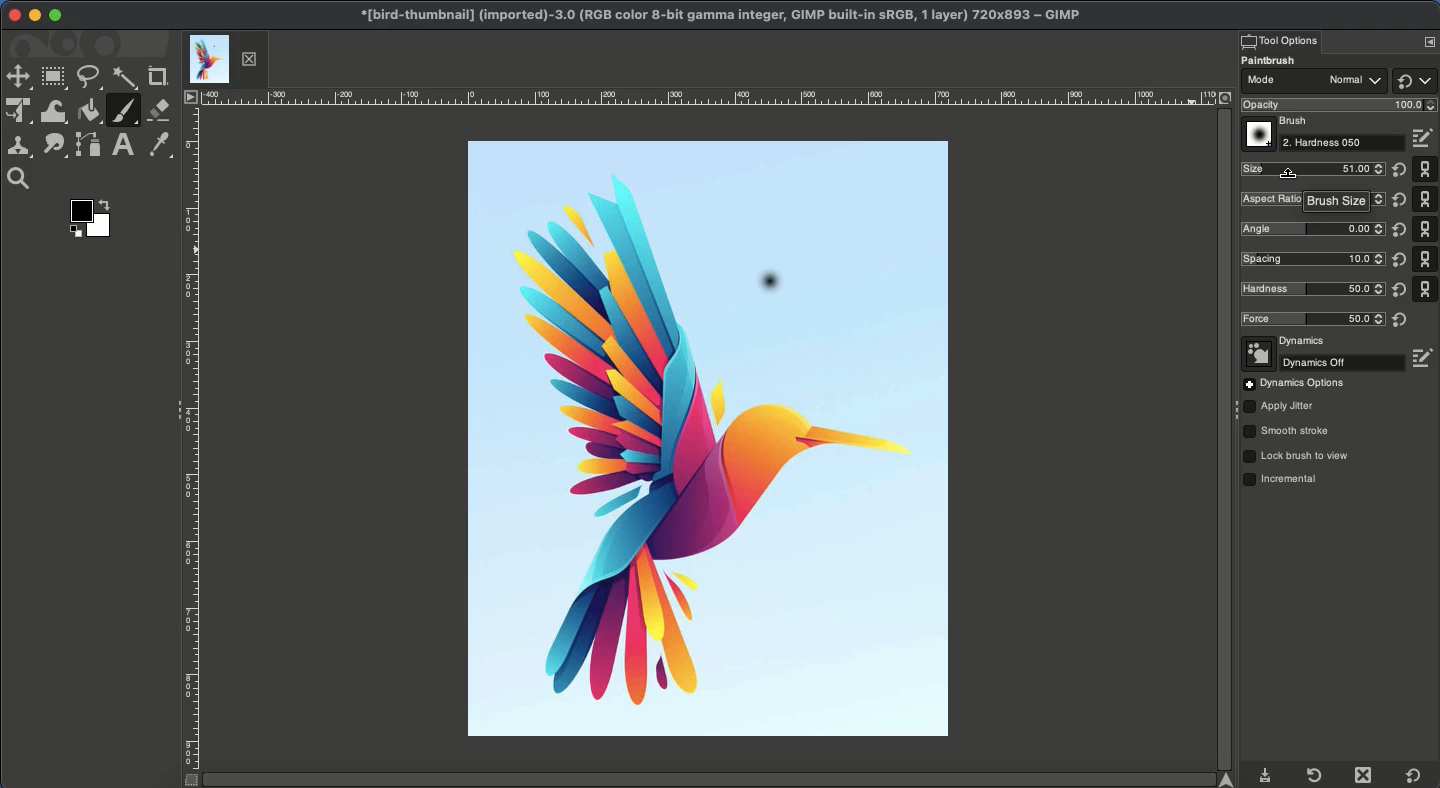 This screenshot has height=788, width=1440. I want to click on Crop, so click(159, 77).